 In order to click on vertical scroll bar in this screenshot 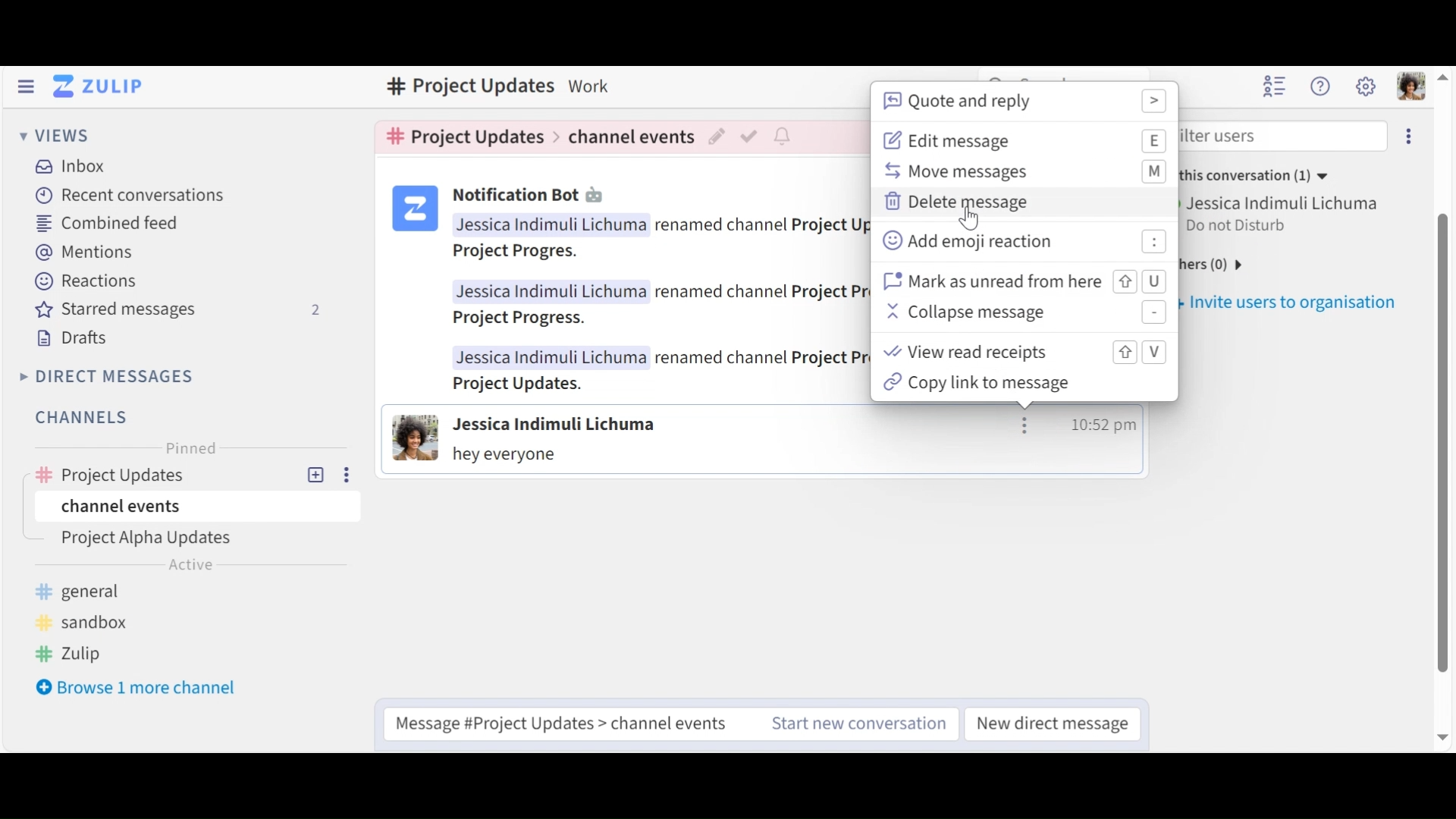, I will do `click(1443, 444)`.